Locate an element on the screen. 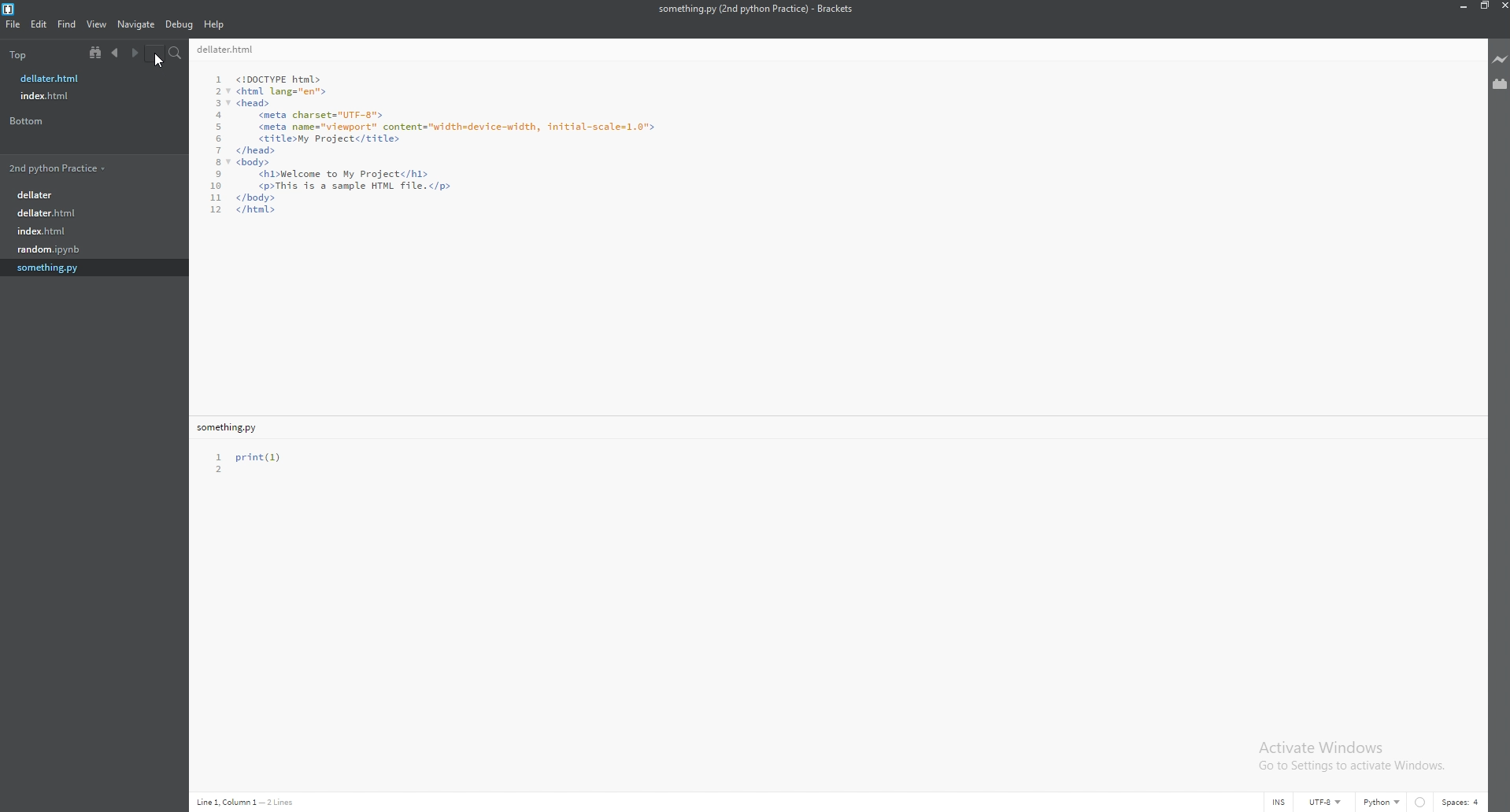  live preview is located at coordinates (1500, 59).